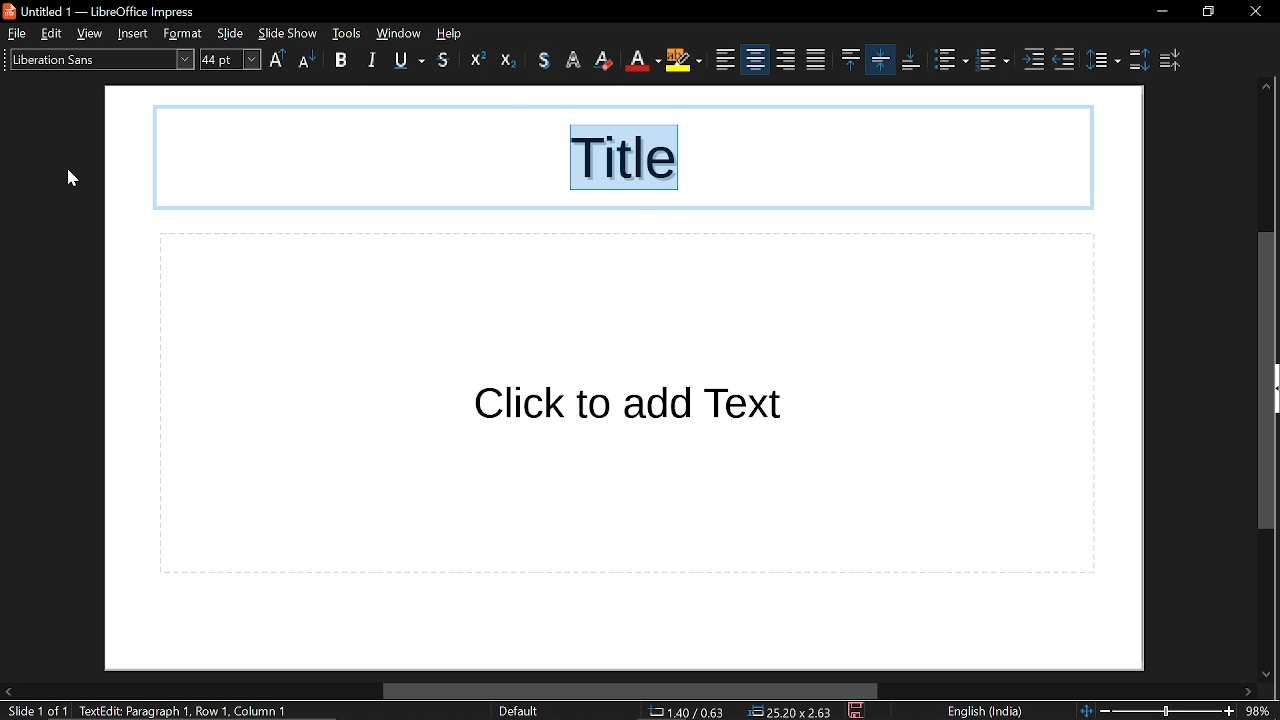 The width and height of the screenshot is (1280, 720). What do you see at coordinates (1036, 60) in the screenshot?
I see `increase indent` at bounding box center [1036, 60].